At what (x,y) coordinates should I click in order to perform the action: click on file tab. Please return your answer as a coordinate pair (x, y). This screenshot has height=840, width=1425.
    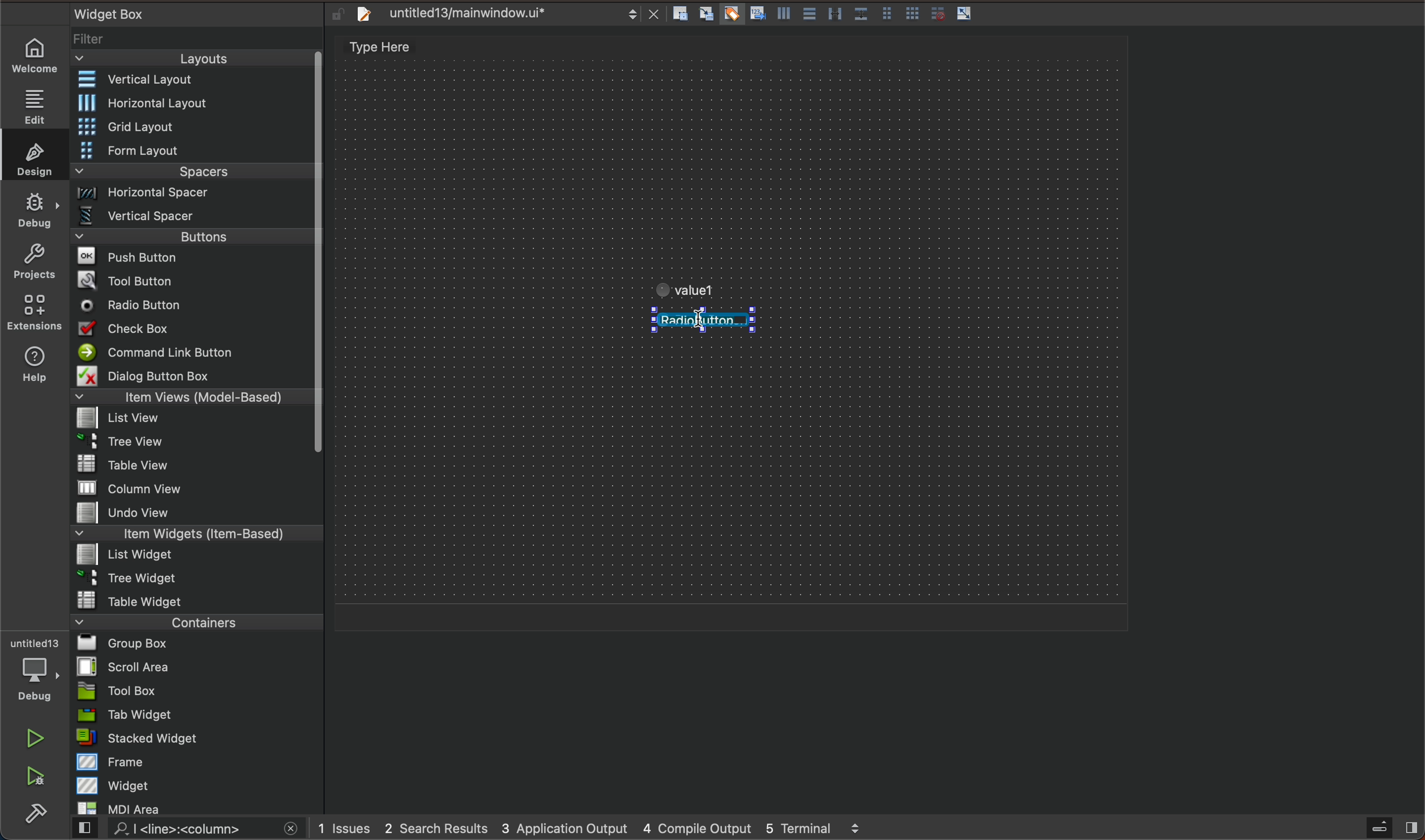
    Looking at the image, I should click on (504, 14).